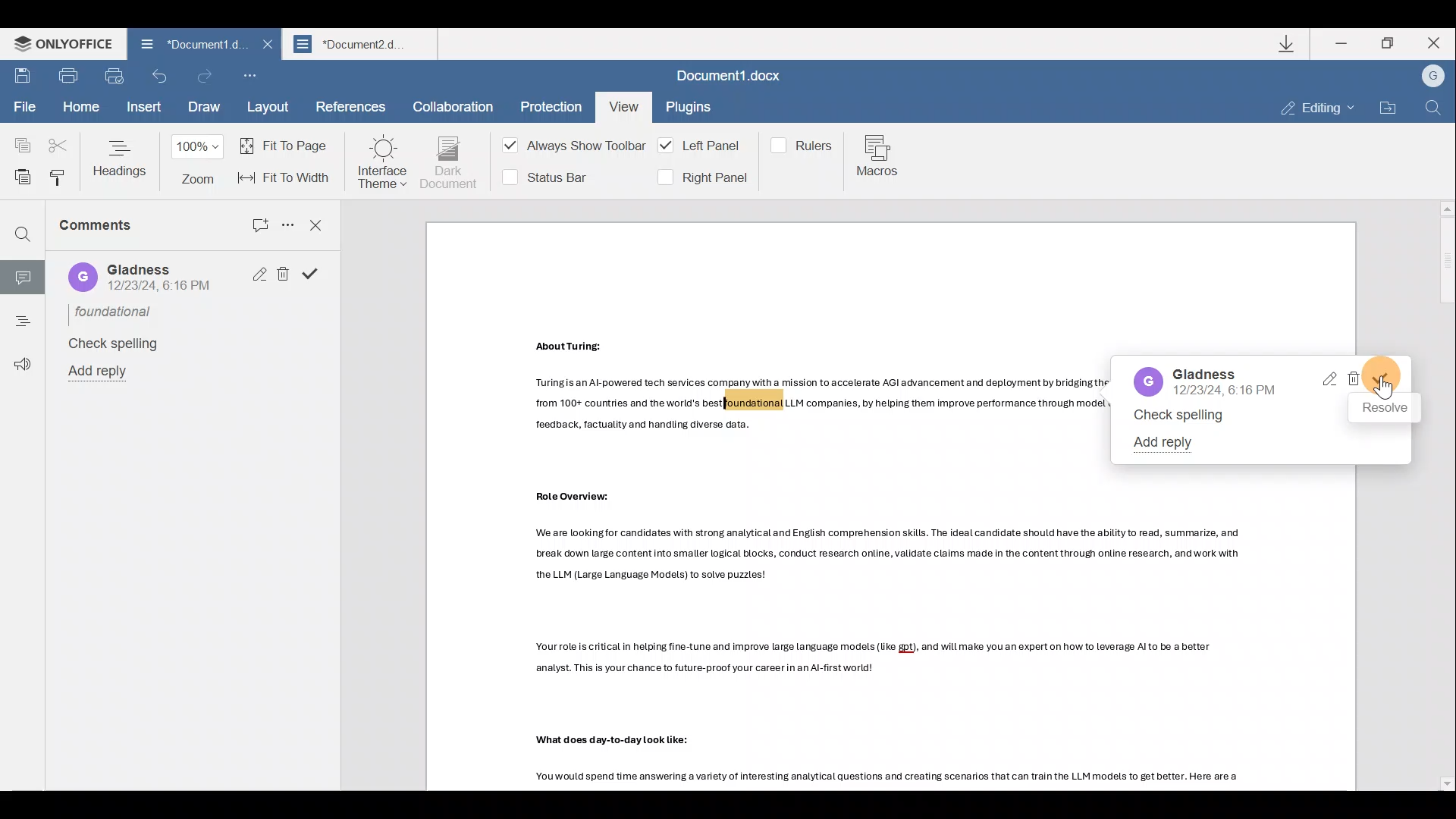  I want to click on , so click(896, 777).